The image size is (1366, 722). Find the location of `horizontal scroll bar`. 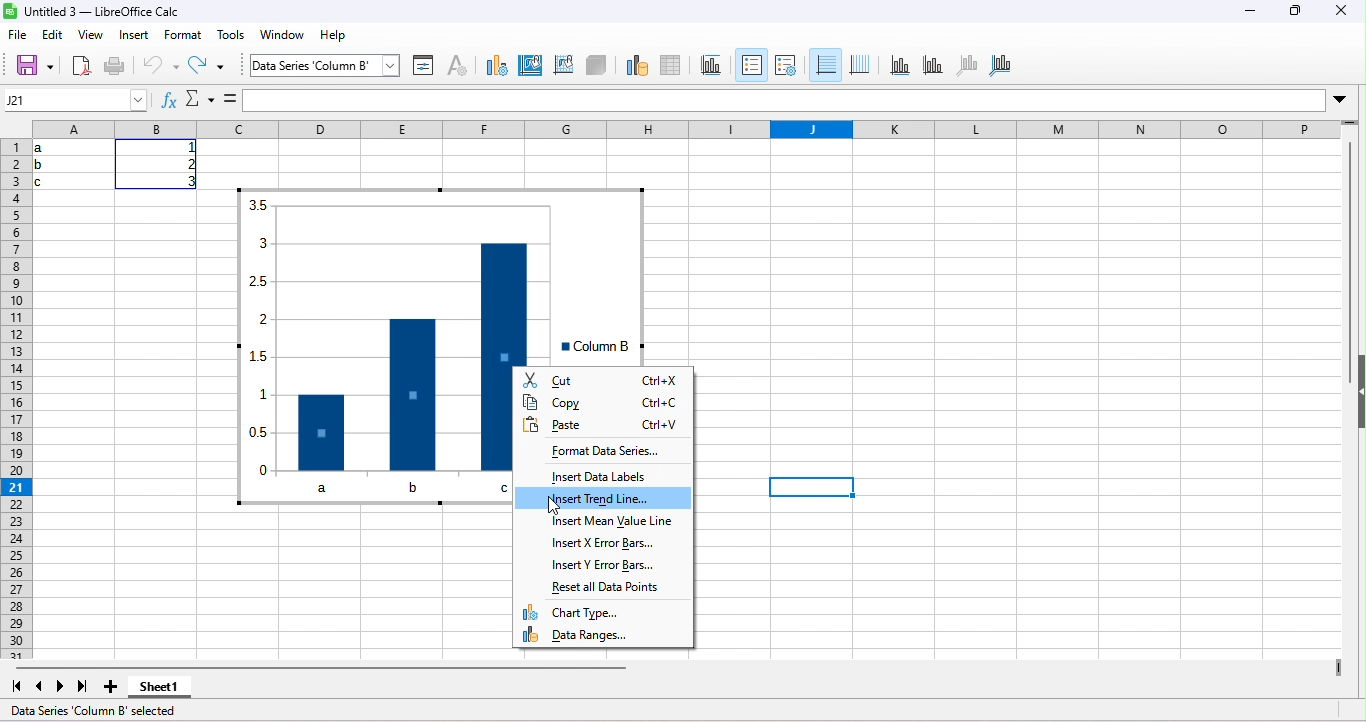

horizontal scroll bar is located at coordinates (329, 667).